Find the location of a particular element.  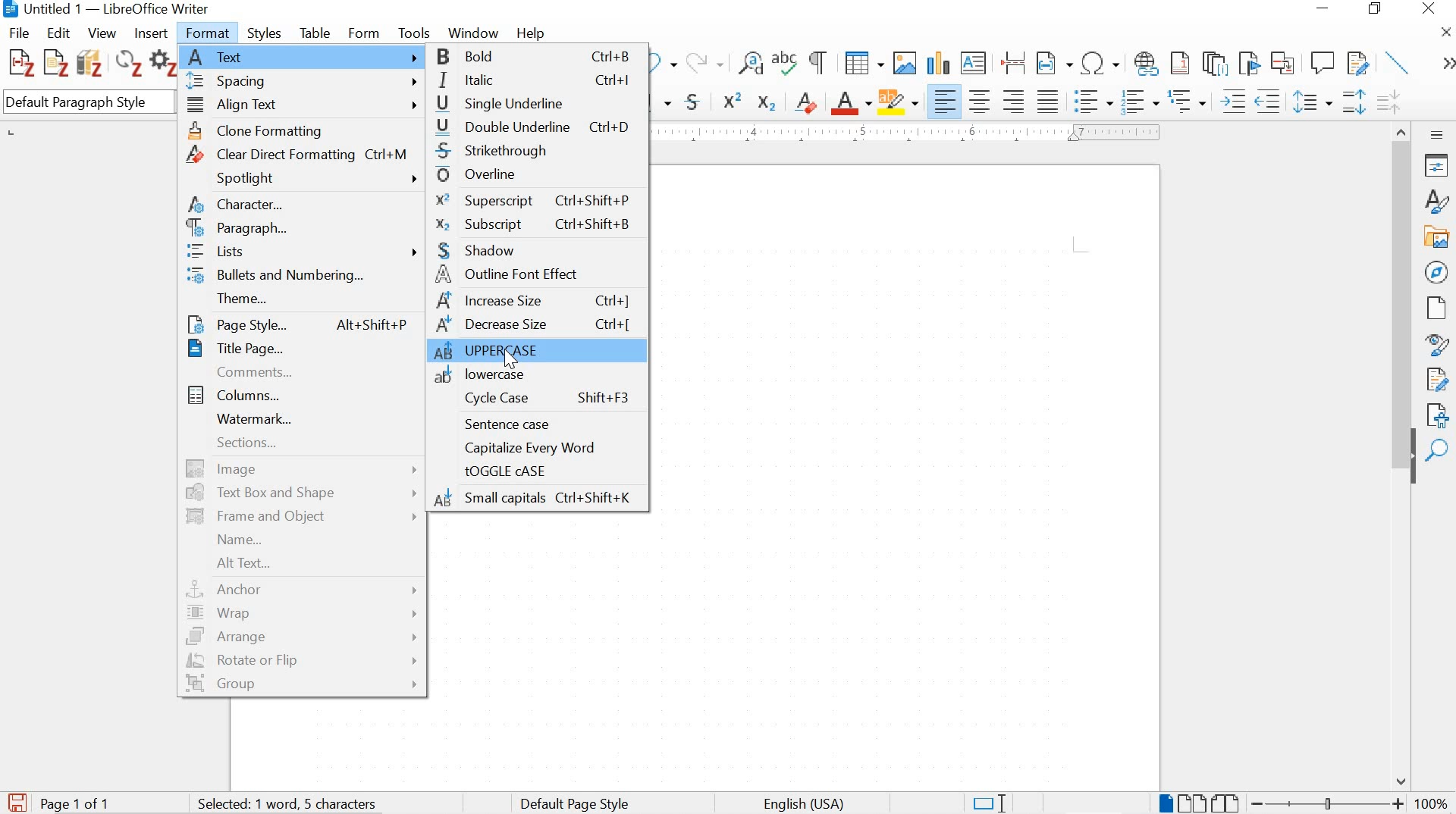

save is located at coordinates (17, 800).